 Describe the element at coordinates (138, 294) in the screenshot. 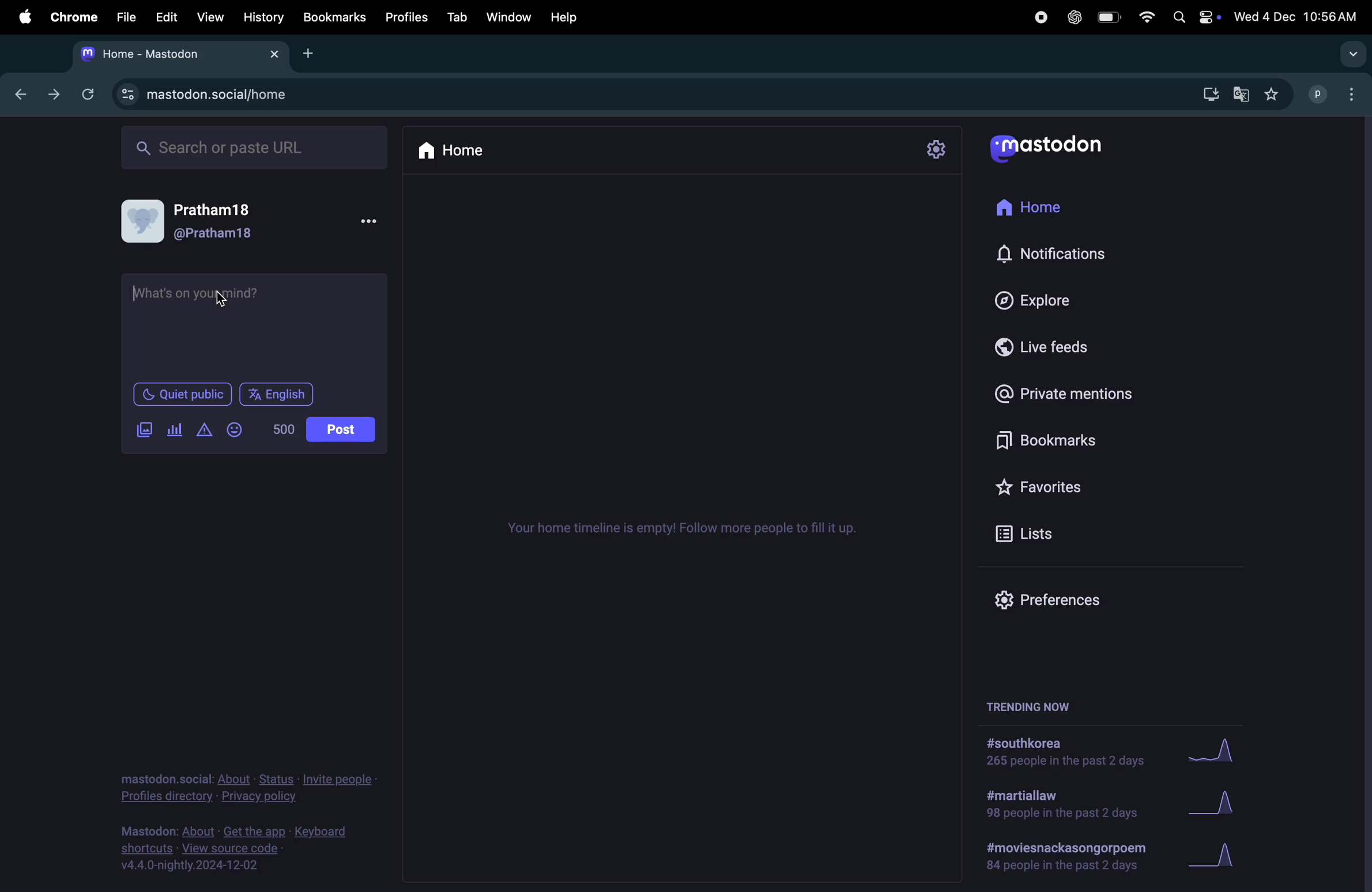

I see `cursor` at that location.